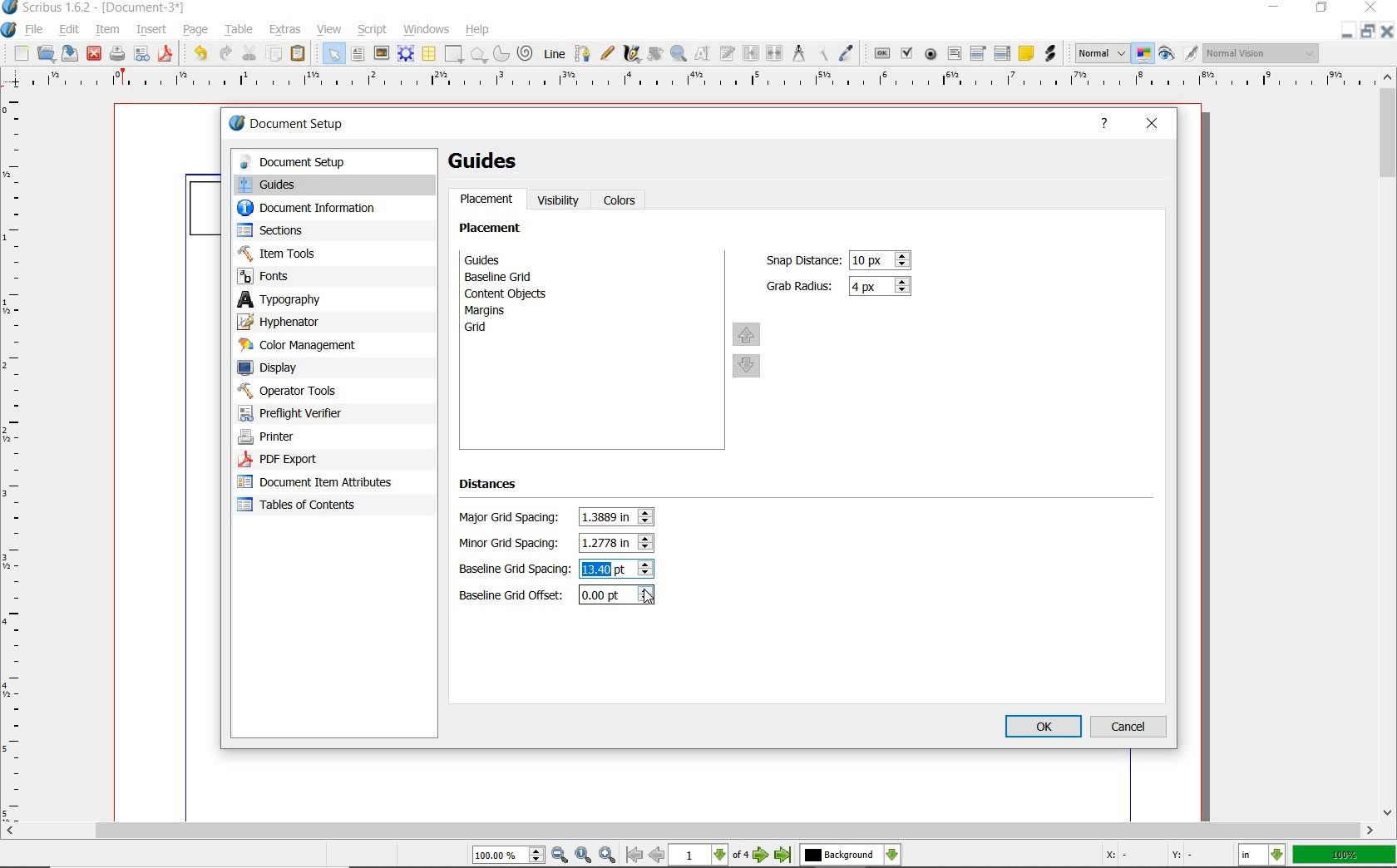 This screenshot has height=868, width=1397. Describe the element at coordinates (305, 506) in the screenshot. I see `Tables of contents` at that location.